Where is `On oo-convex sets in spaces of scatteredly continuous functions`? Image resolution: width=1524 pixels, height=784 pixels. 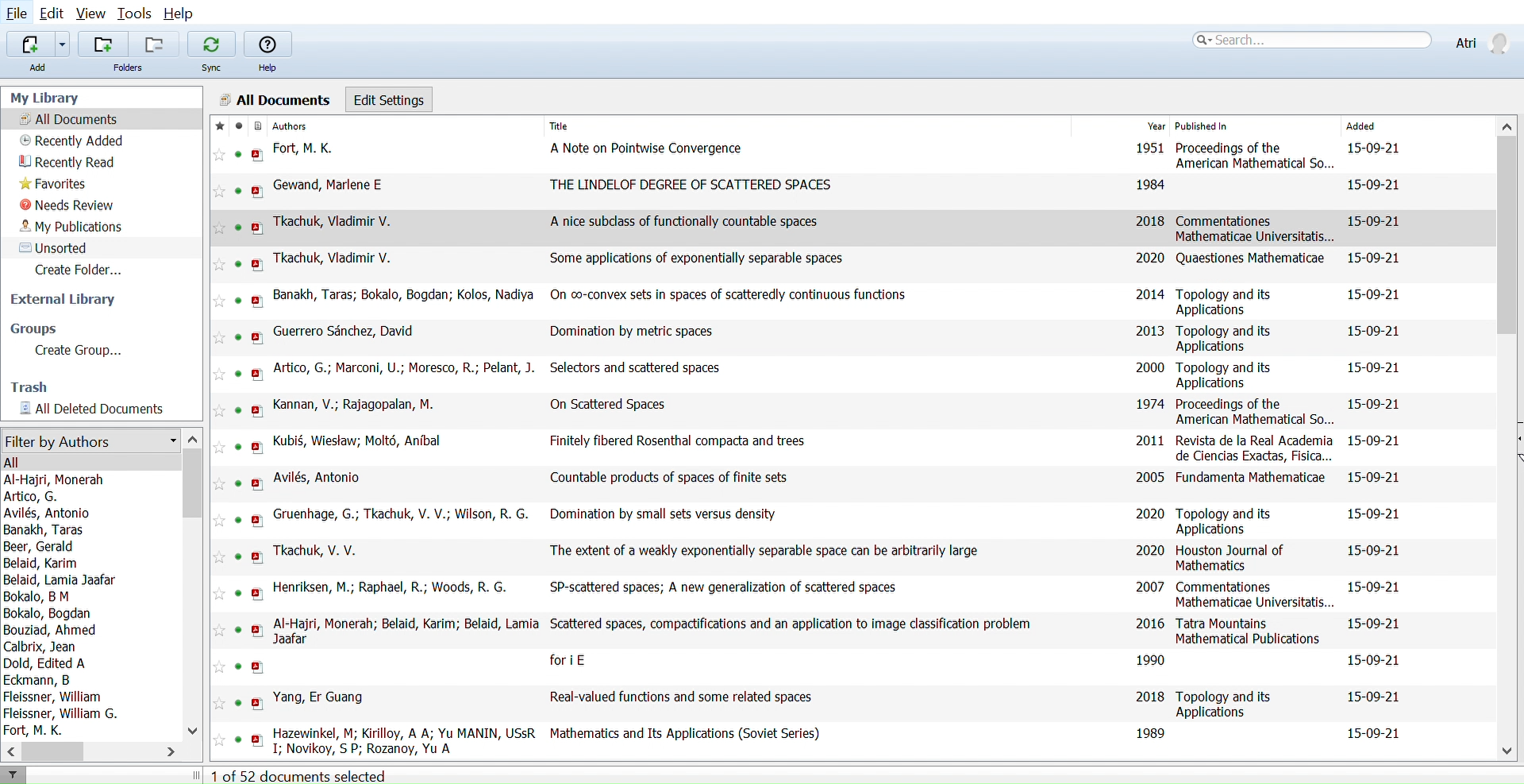 On oo-convex sets in spaces of scatteredly continuous functions is located at coordinates (737, 295).